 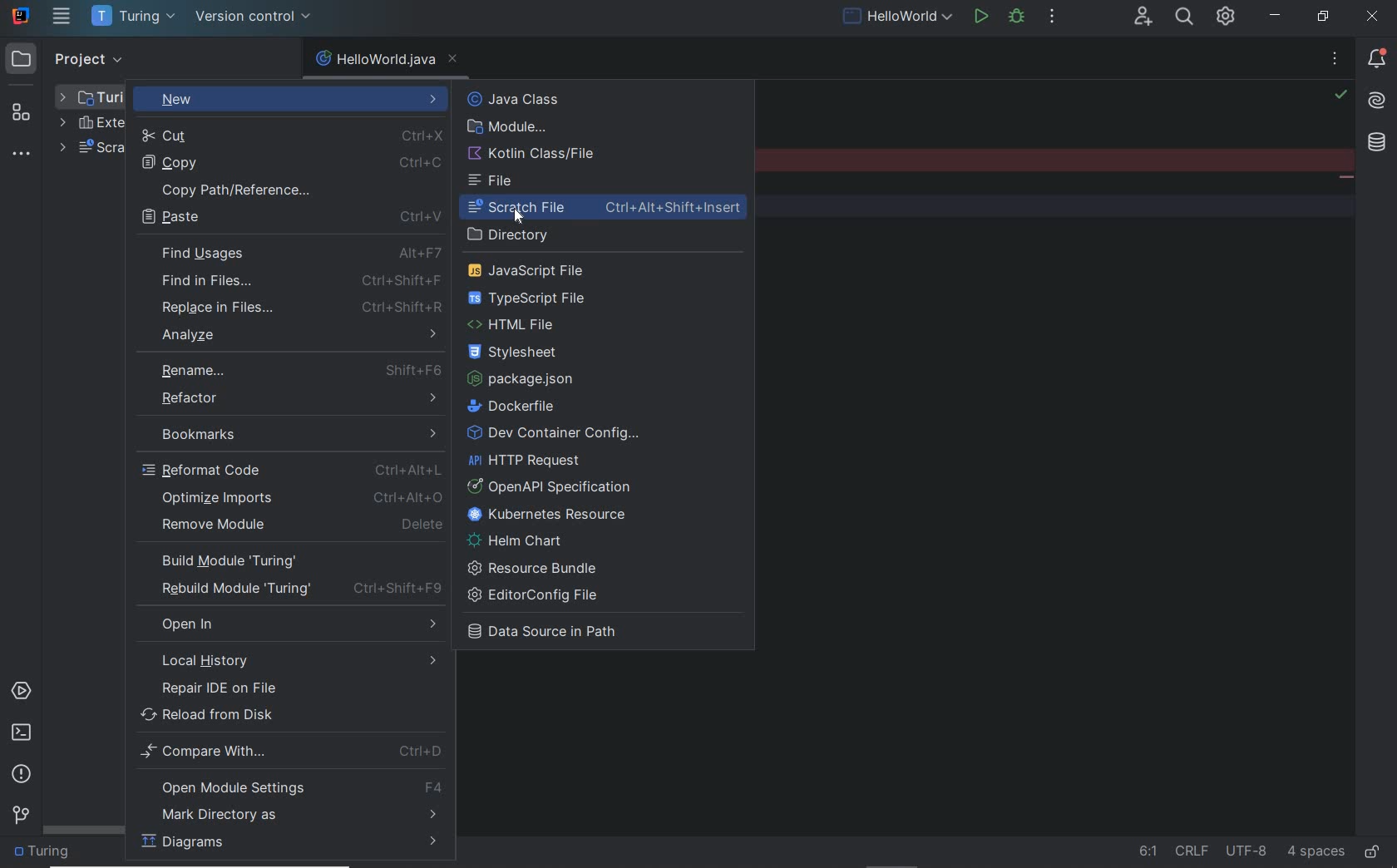 What do you see at coordinates (1345, 179) in the screenshot?
I see `public static void` at bounding box center [1345, 179].